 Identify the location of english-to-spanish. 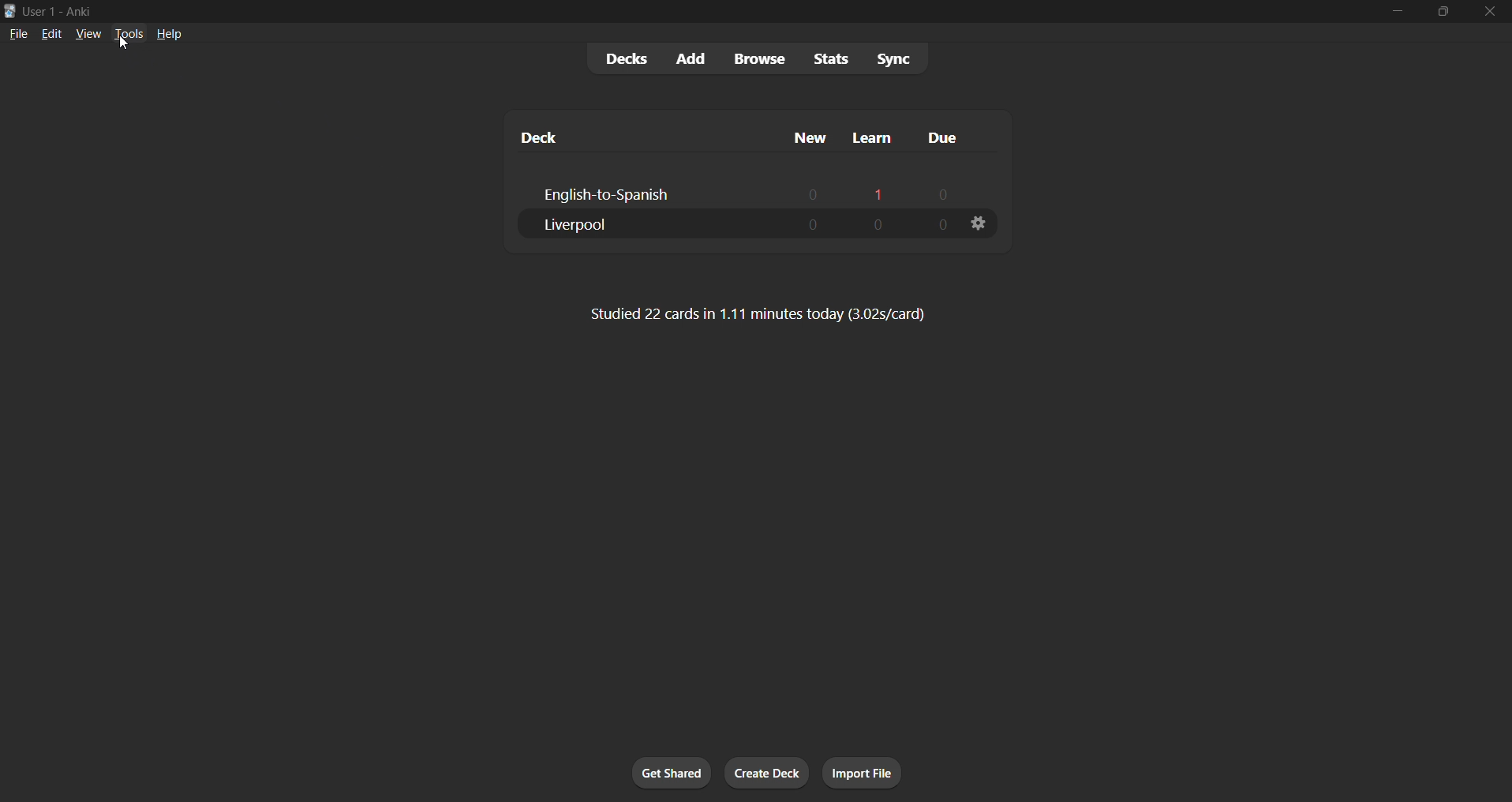
(623, 194).